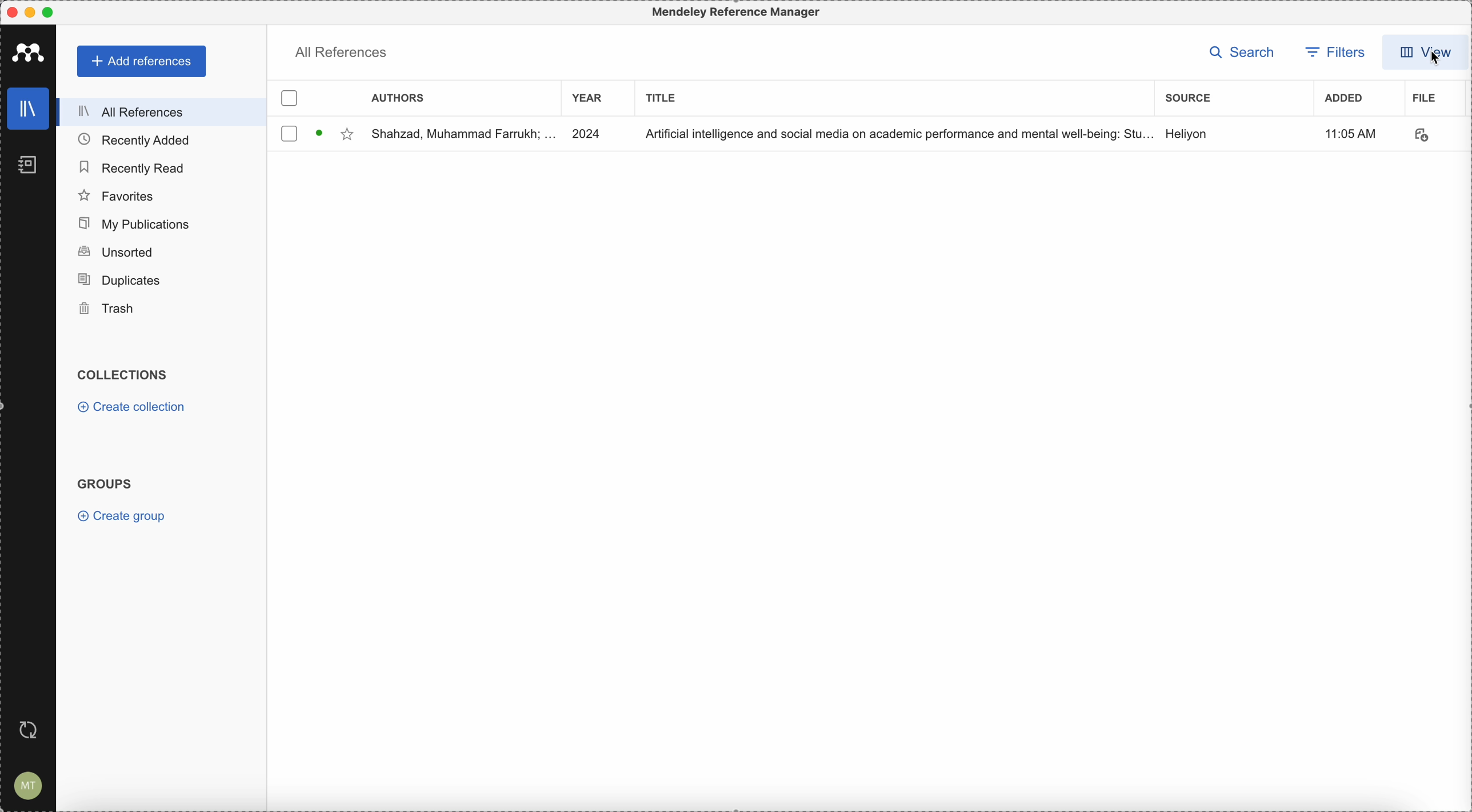  What do you see at coordinates (1188, 134) in the screenshot?
I see `source` at bounding box center [1188, 134].